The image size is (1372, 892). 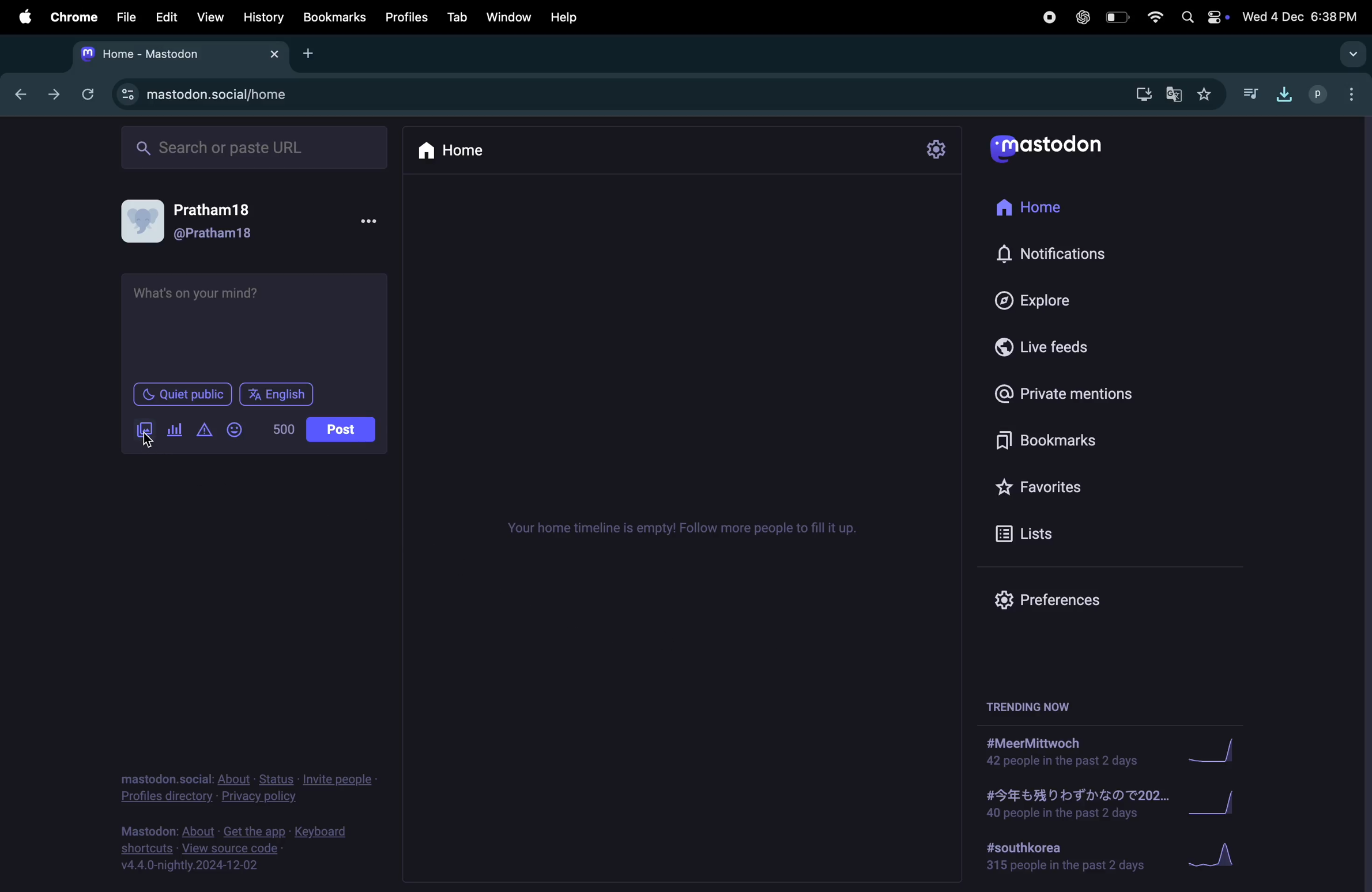 What do you see at coordinates (1175, 97) in the screenshot?
I see `translate` at bounding box center [1175, 97].